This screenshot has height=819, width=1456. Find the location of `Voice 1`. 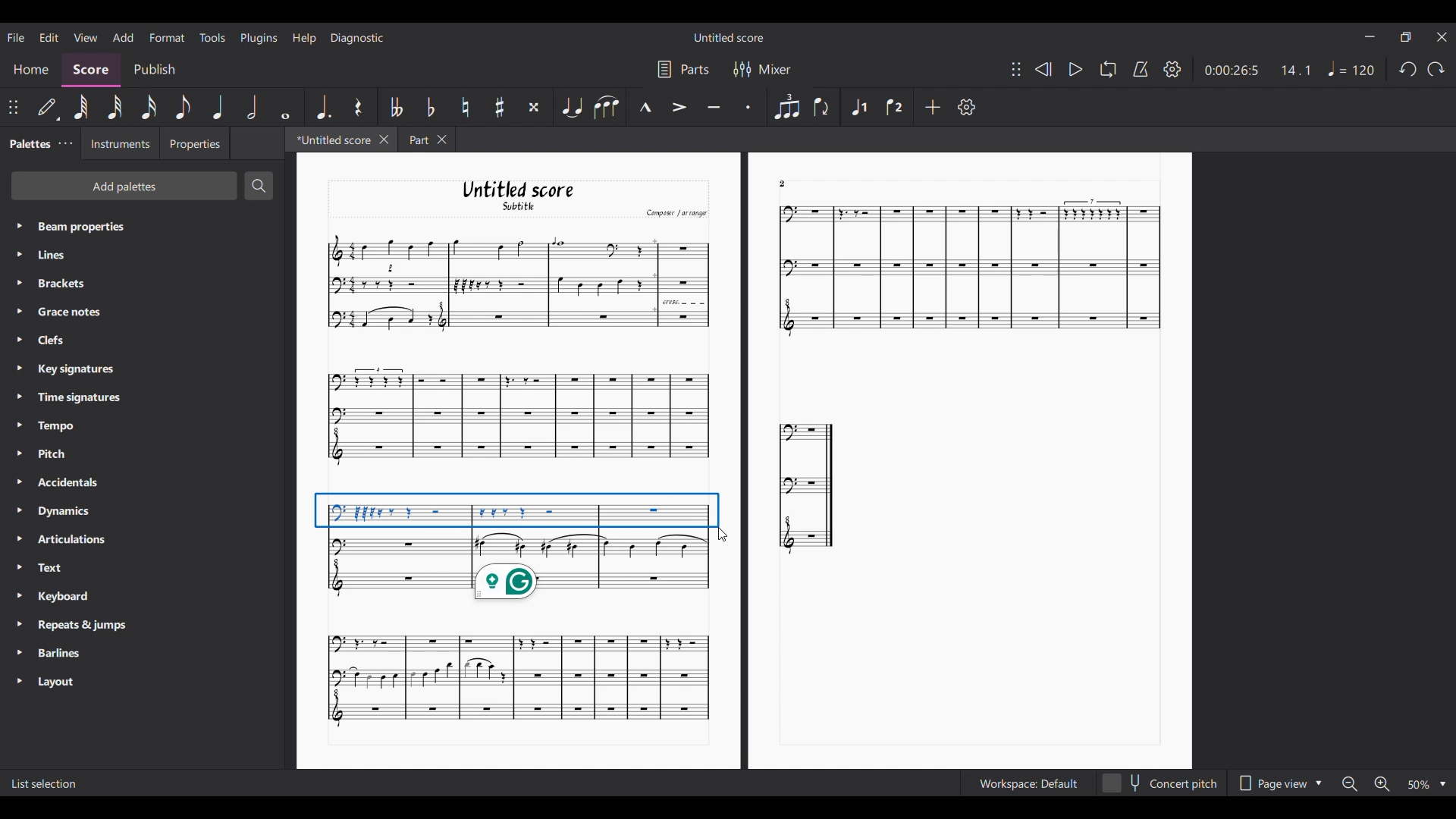

Voice 1 is located at coordinates (858, 107).